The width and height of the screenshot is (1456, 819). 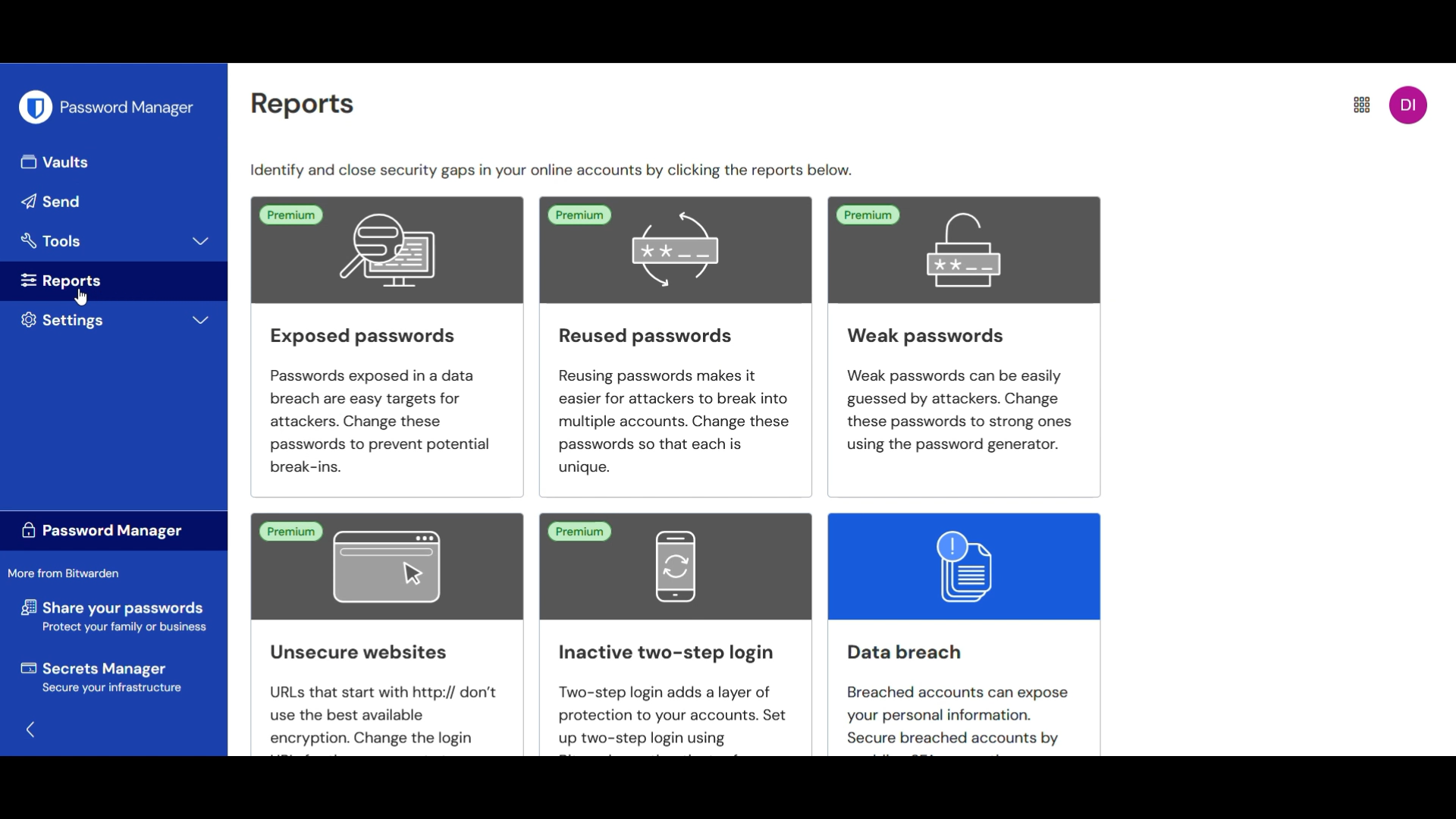 What do you see at coordinates (677, 634) in the screenshot?
I see `Inactive two-step login
Two-step login adds a layer of
protection to your accounts. Set
up two-step login using` at bounding box center [677, 634].